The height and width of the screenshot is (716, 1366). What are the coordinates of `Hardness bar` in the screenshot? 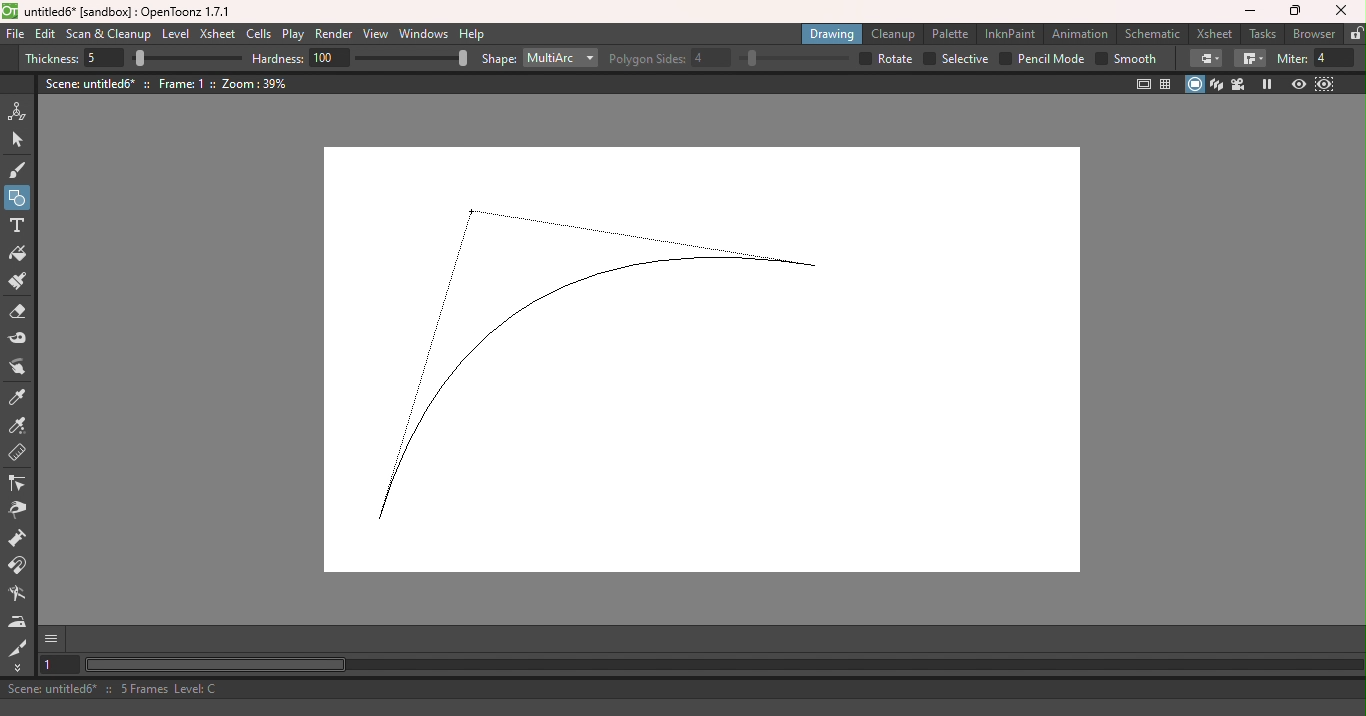 It's located at (412, 58).